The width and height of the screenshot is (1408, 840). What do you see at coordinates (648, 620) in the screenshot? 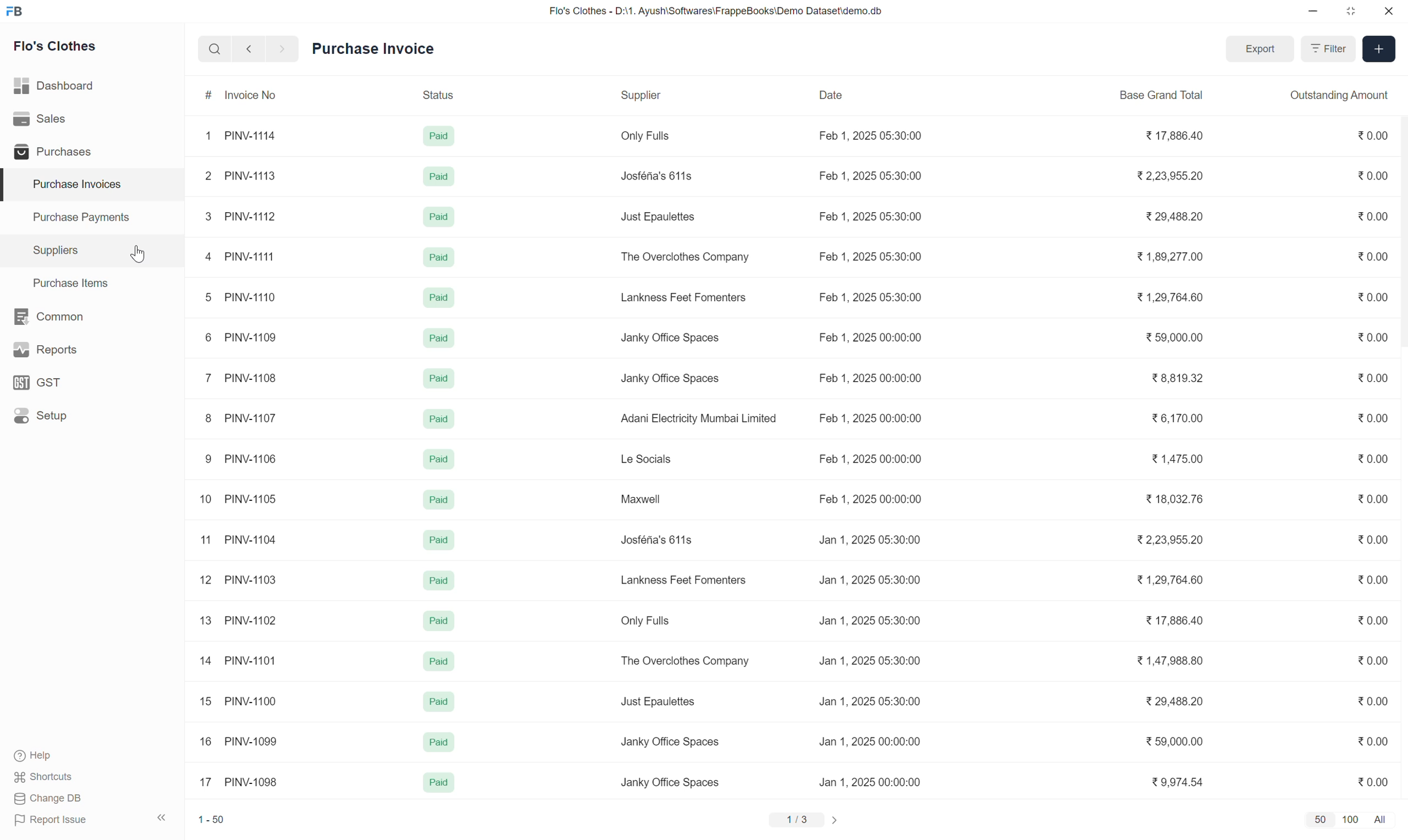
I see `Only Fulls` at bounding box center [648, 620].